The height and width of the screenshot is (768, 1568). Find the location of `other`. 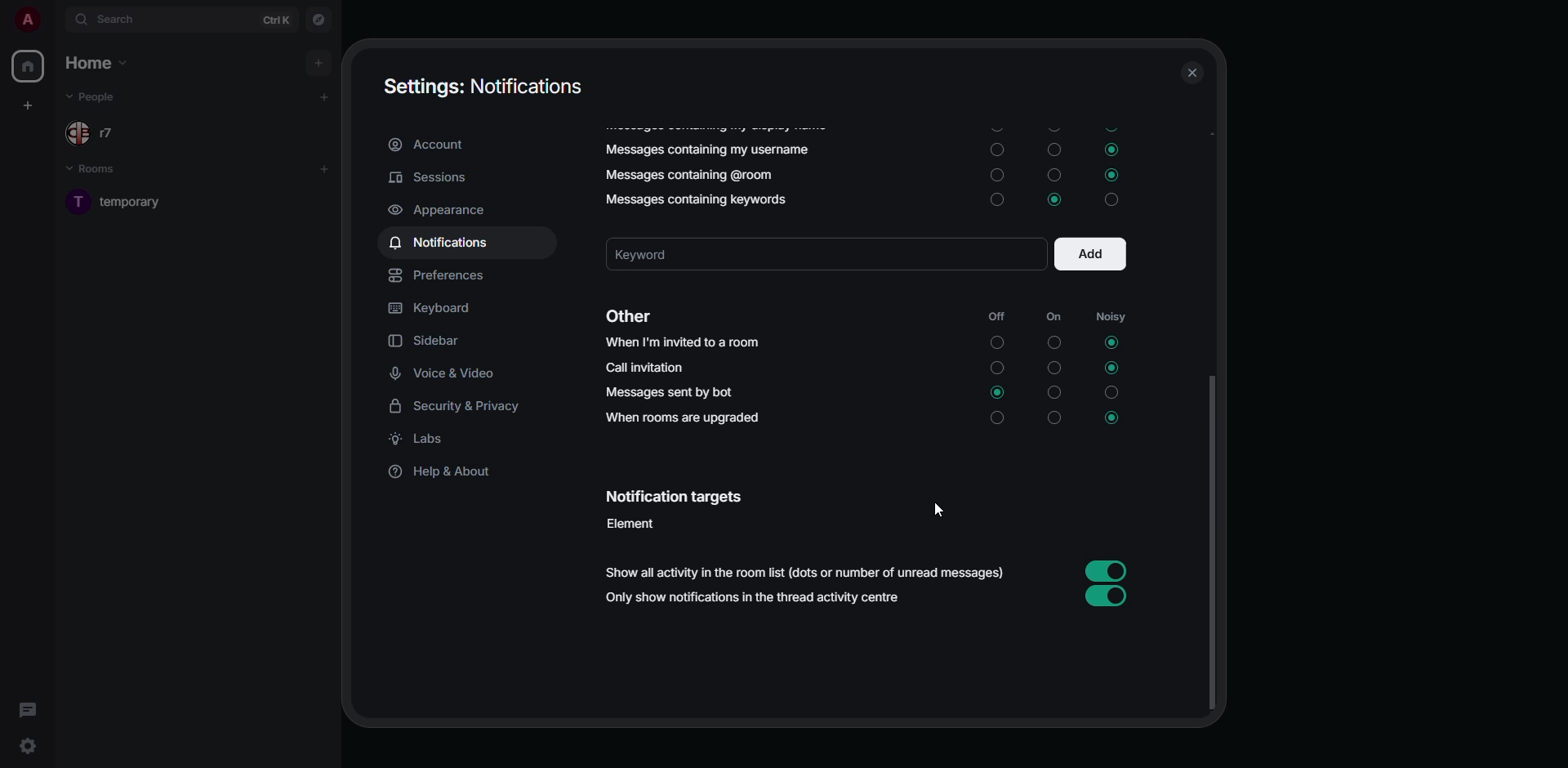

other is located at coordinates (634, 315).